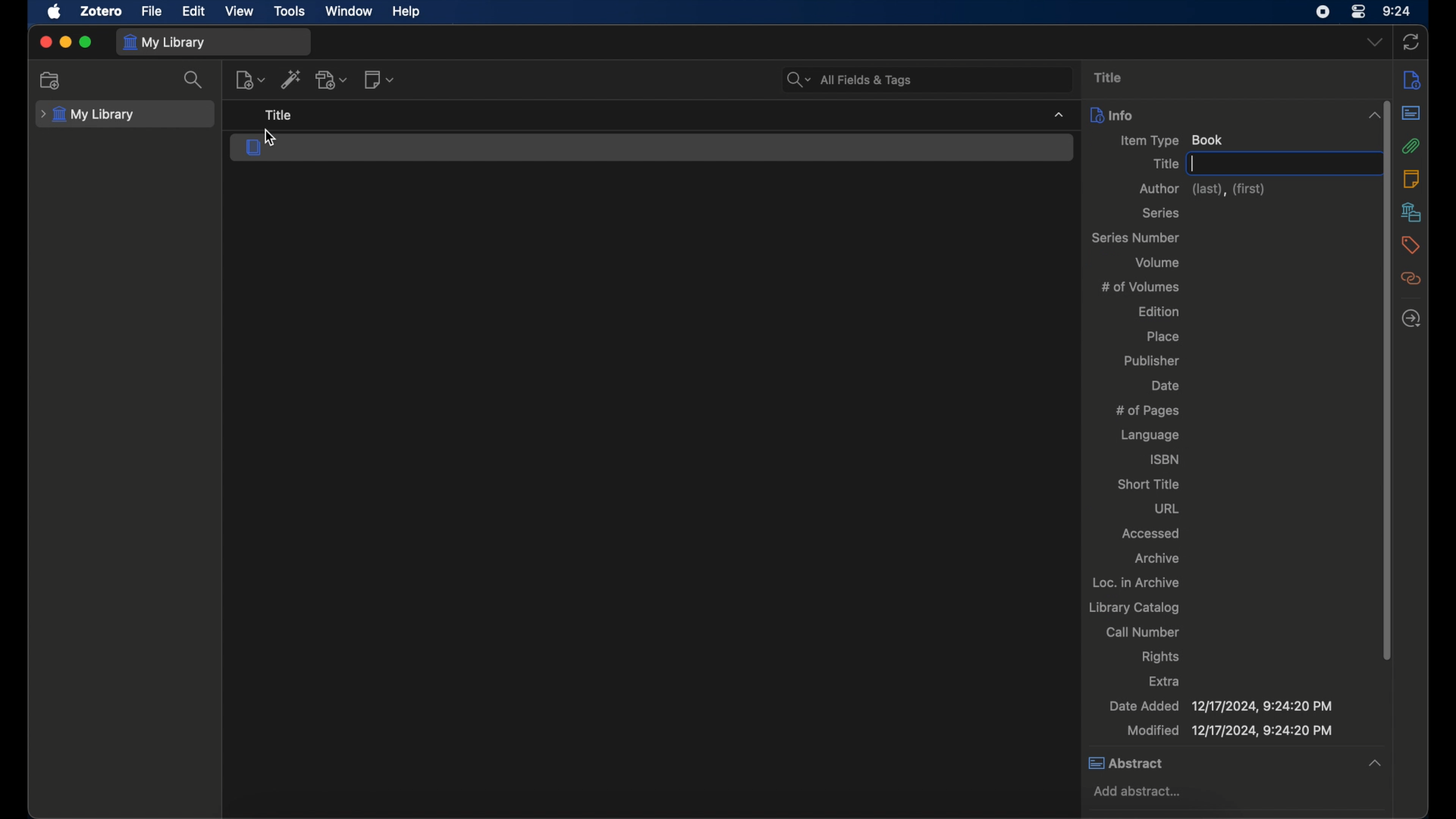 The image size is (1456, 819). Describe the element at coordinates (1125, 762) in the screenshot. I see `abstract` at that location.